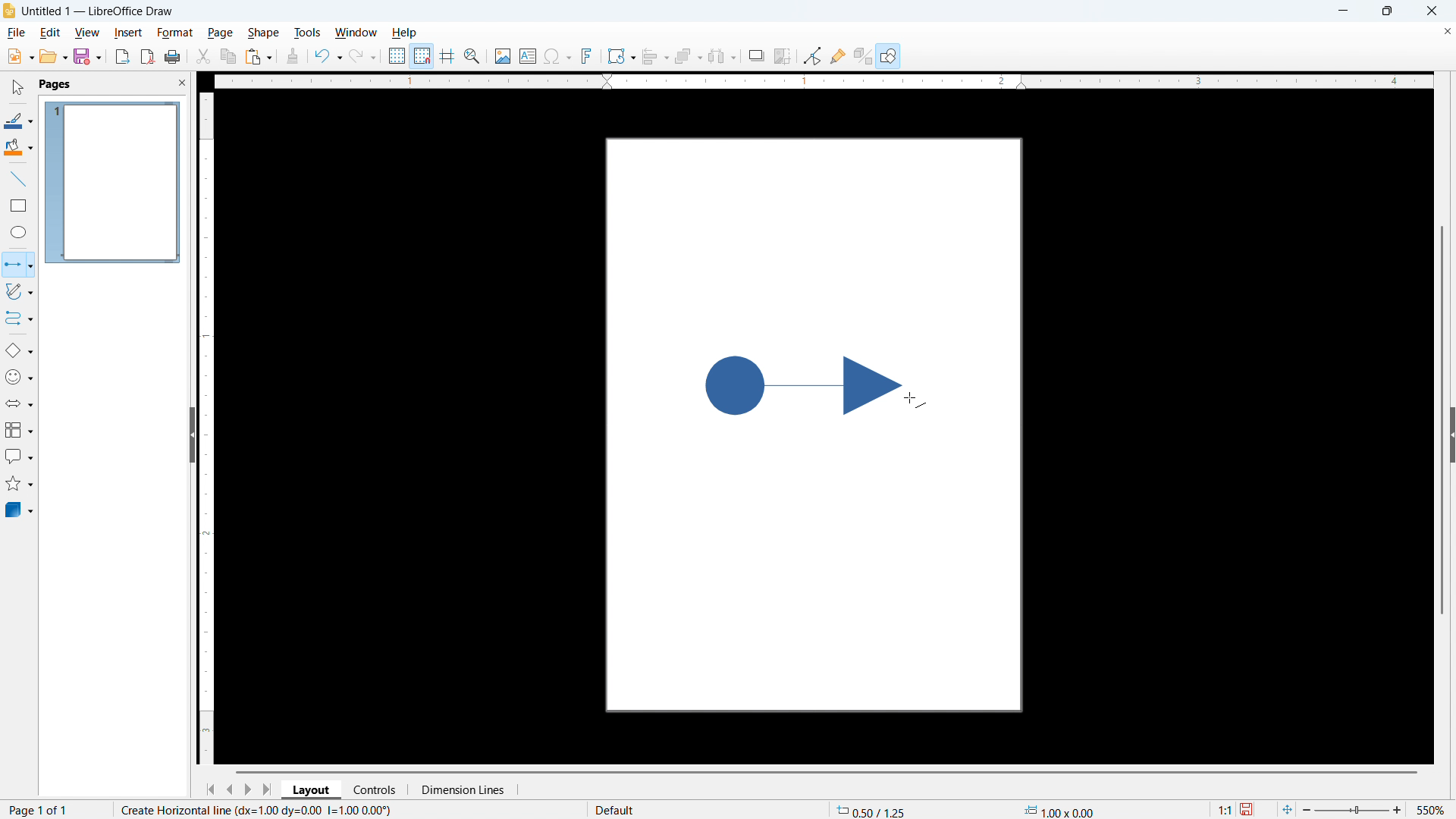 The image size is (1456, 819). What do you see at coordinates (756, 55) in the screenshot?
I see `Shadow ` at bounding box center [756, 55].